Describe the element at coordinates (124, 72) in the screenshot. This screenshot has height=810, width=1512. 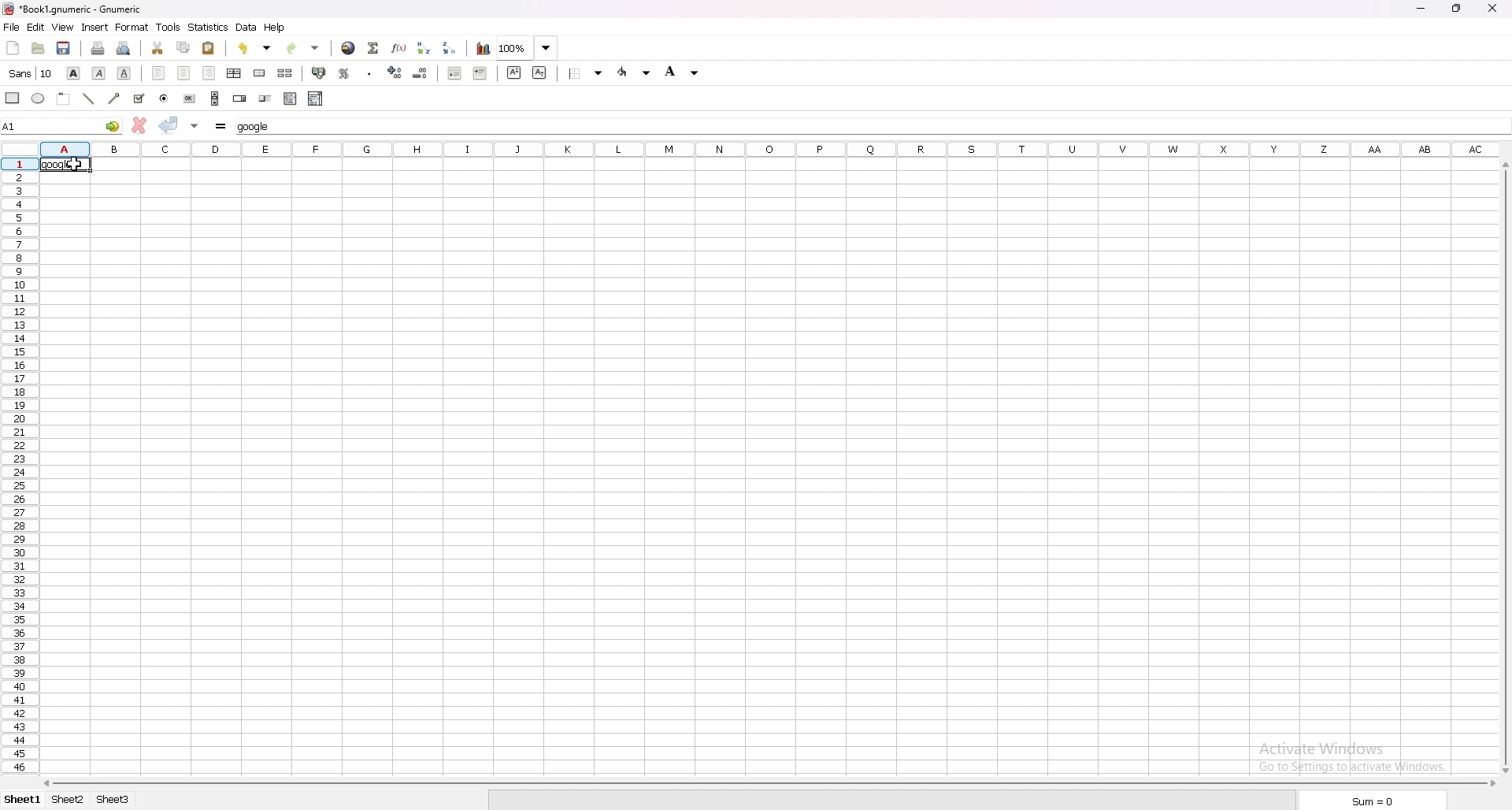
I see `underline` at that location.